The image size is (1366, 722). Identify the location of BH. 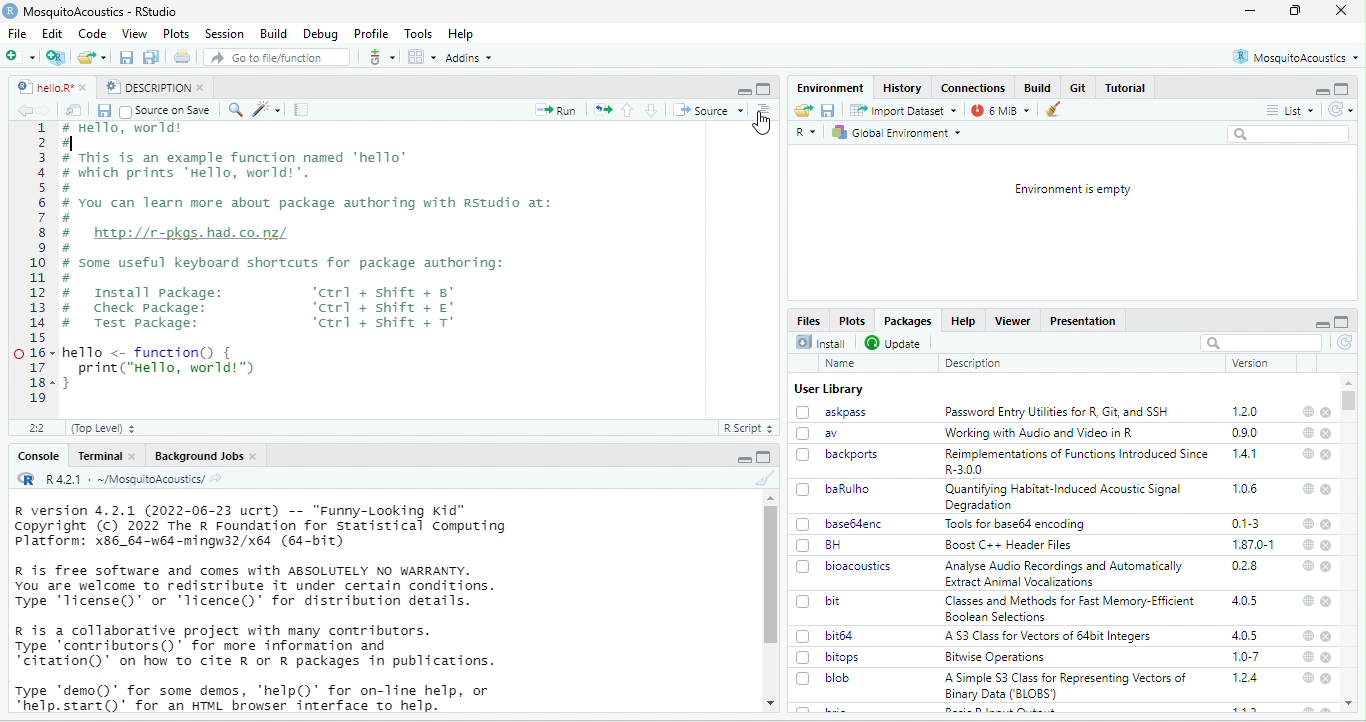
(820, 545).